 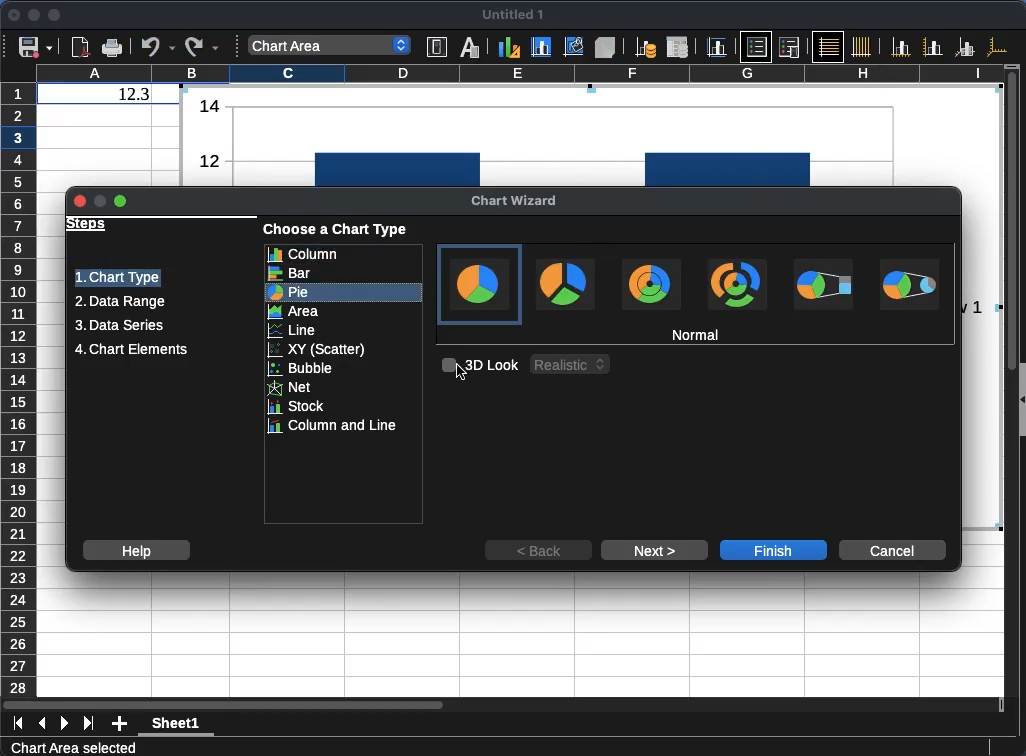 I want to click on area, so click(x=344, y=312).